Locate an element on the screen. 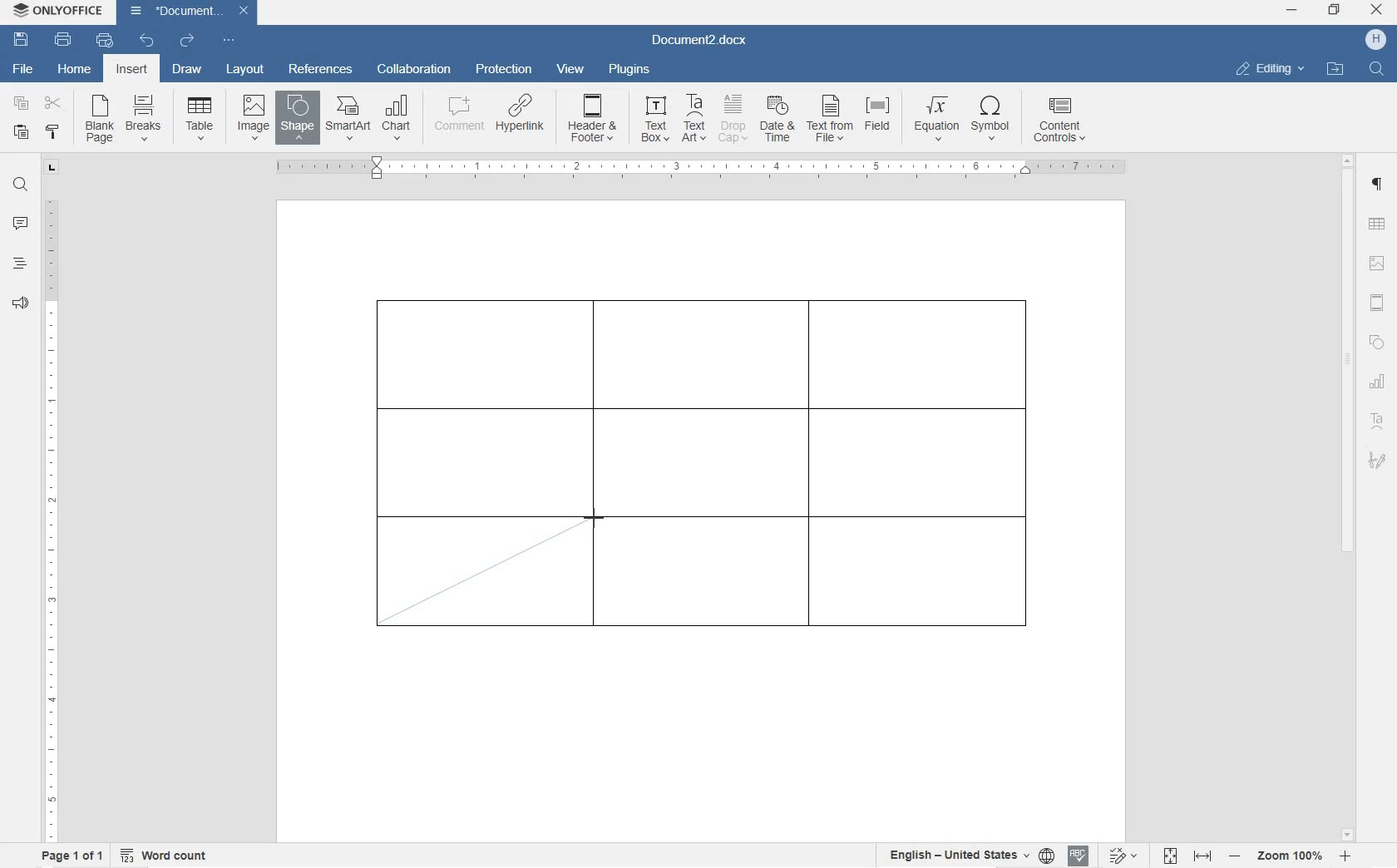  ONLYOFFICE is located at coordinates (61, 11).